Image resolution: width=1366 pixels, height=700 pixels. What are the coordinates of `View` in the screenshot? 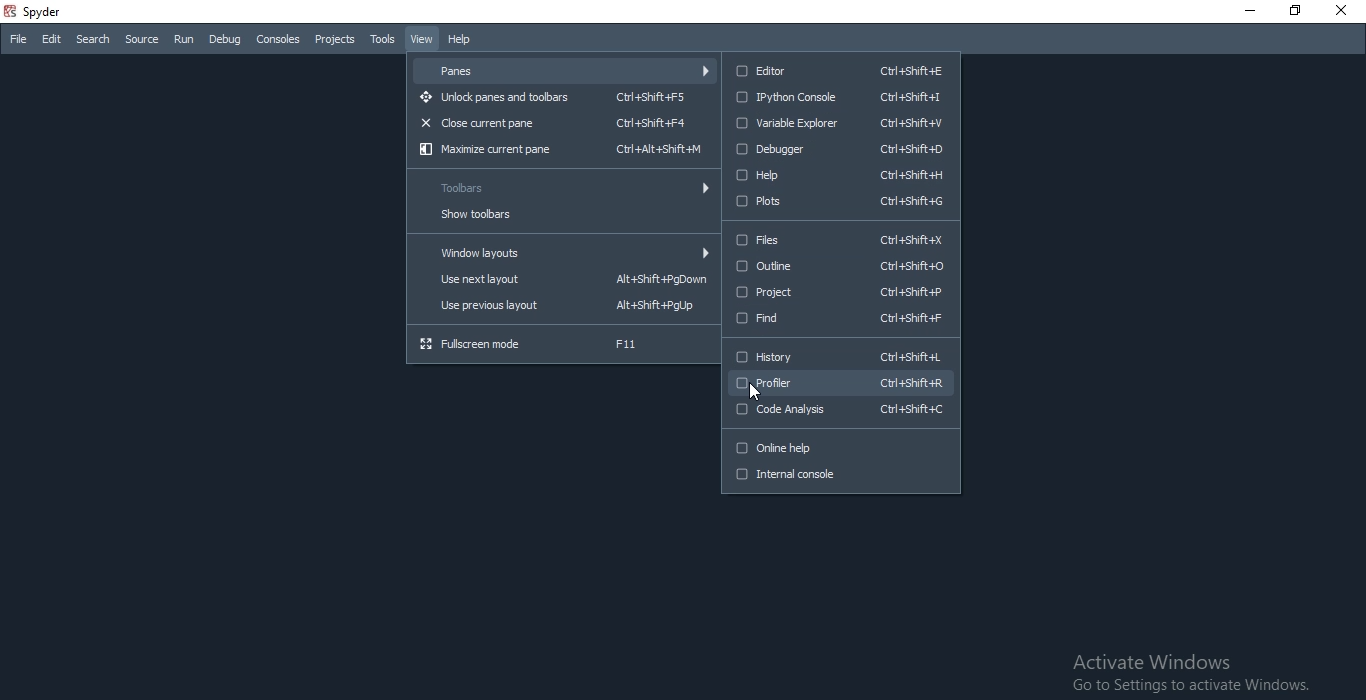 It's located at (422, 40).